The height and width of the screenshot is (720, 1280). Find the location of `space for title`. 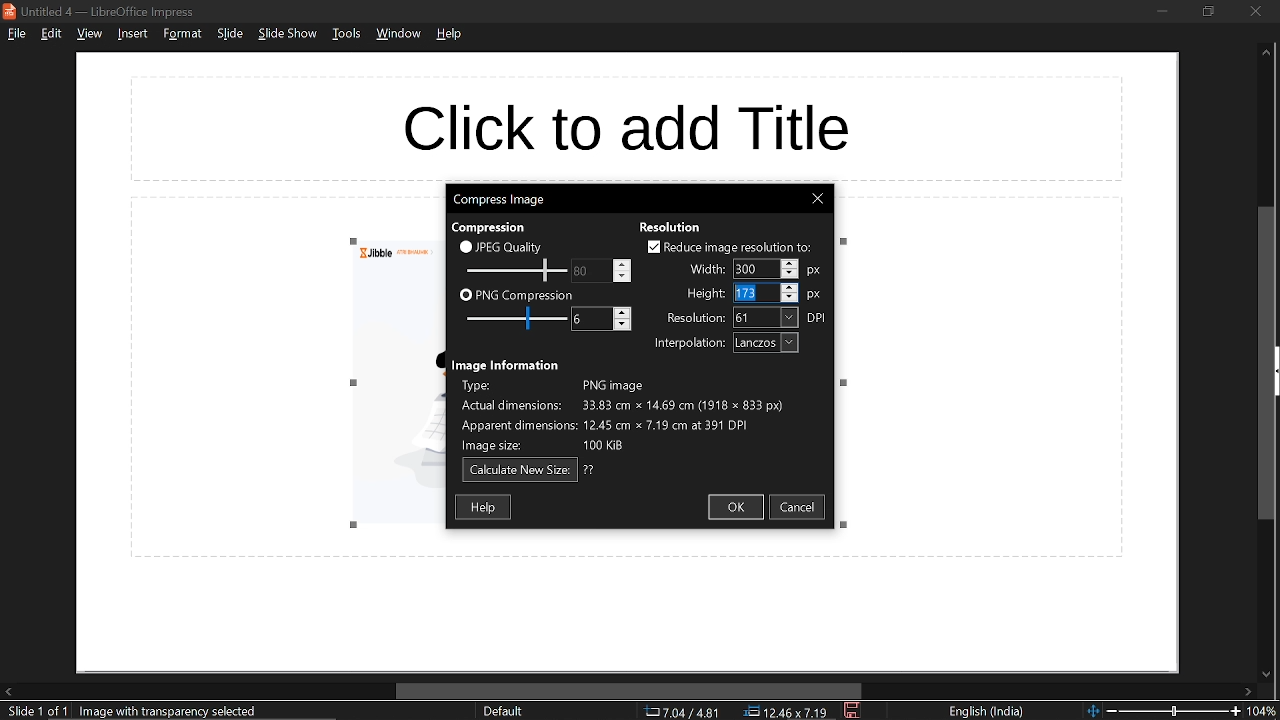

space for title is located at coordinates (646, 122).